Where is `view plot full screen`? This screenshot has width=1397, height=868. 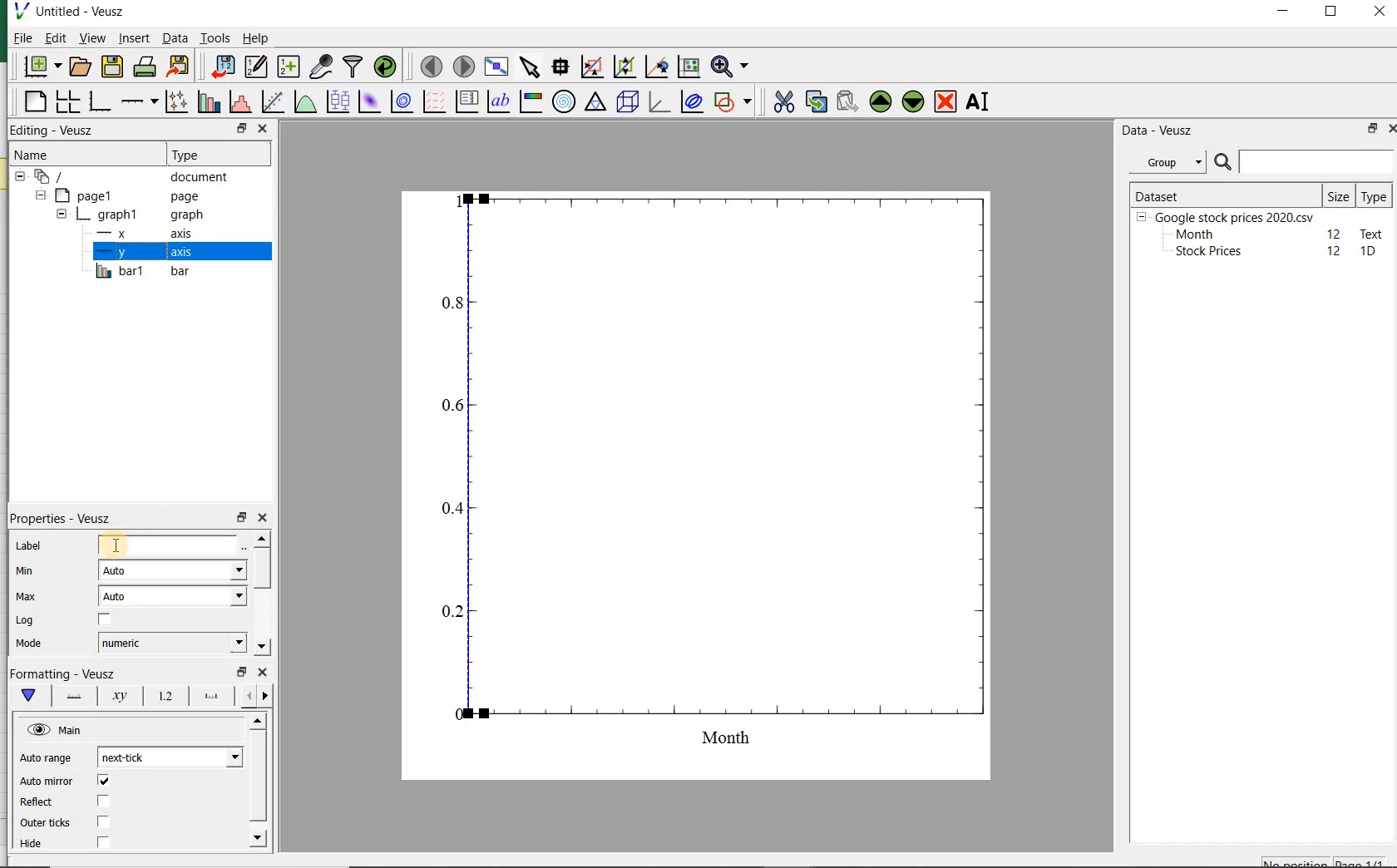
view plot full screen is located at coordinates (496, 67).